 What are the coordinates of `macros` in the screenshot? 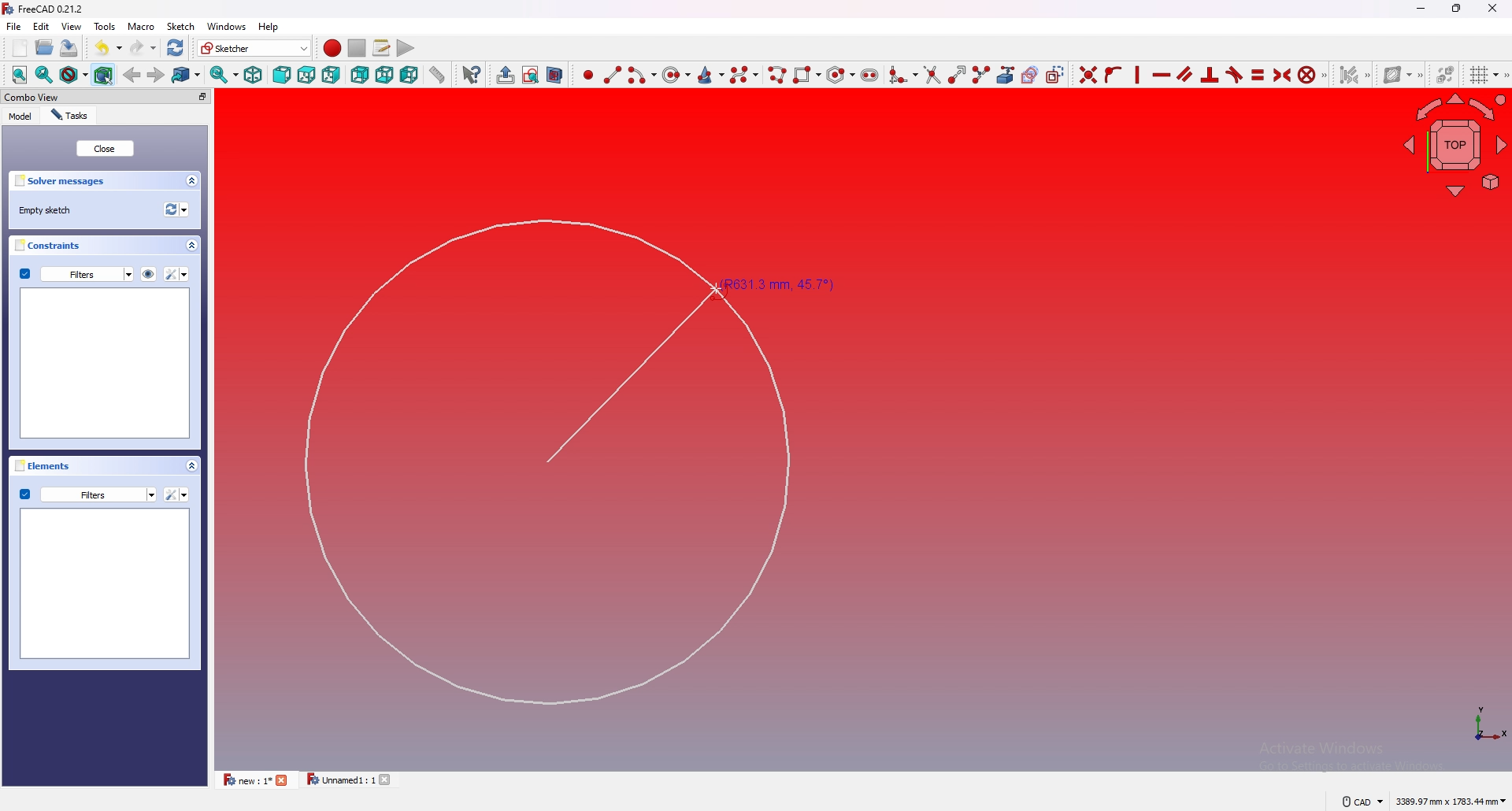 It's located at (381, 48).